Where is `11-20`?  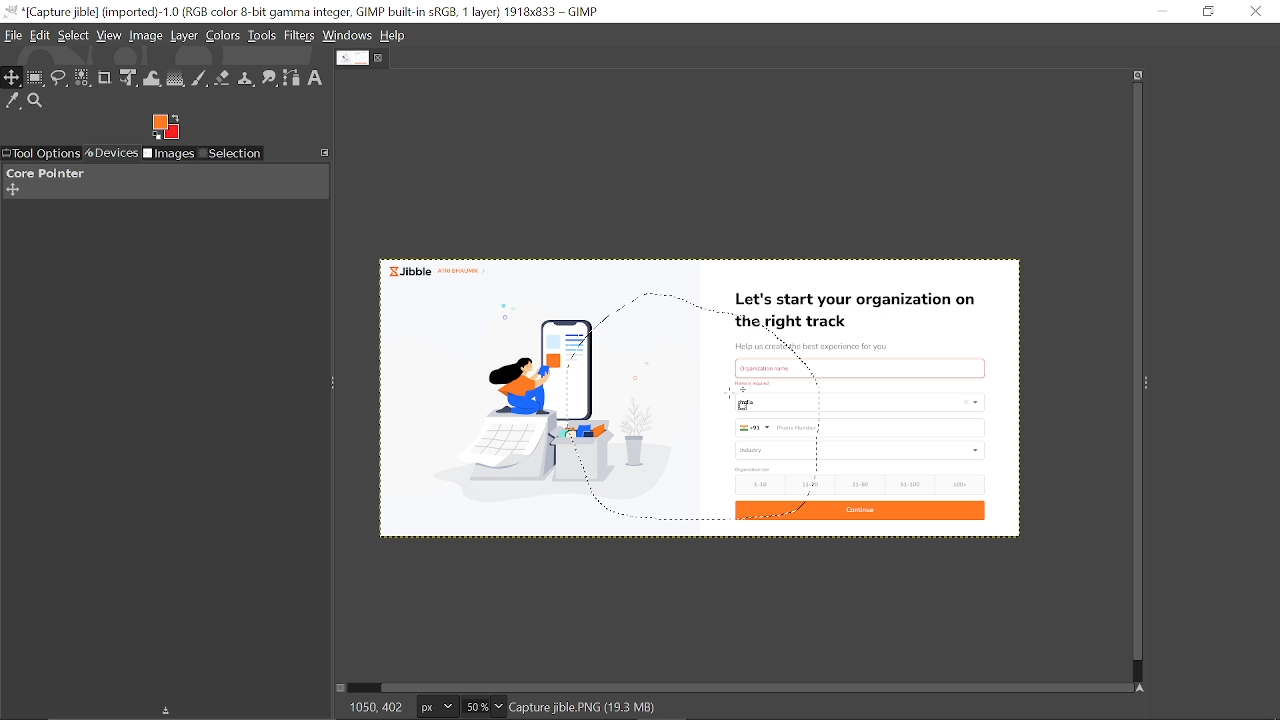 11-20 is located at coordinates (814, 483).